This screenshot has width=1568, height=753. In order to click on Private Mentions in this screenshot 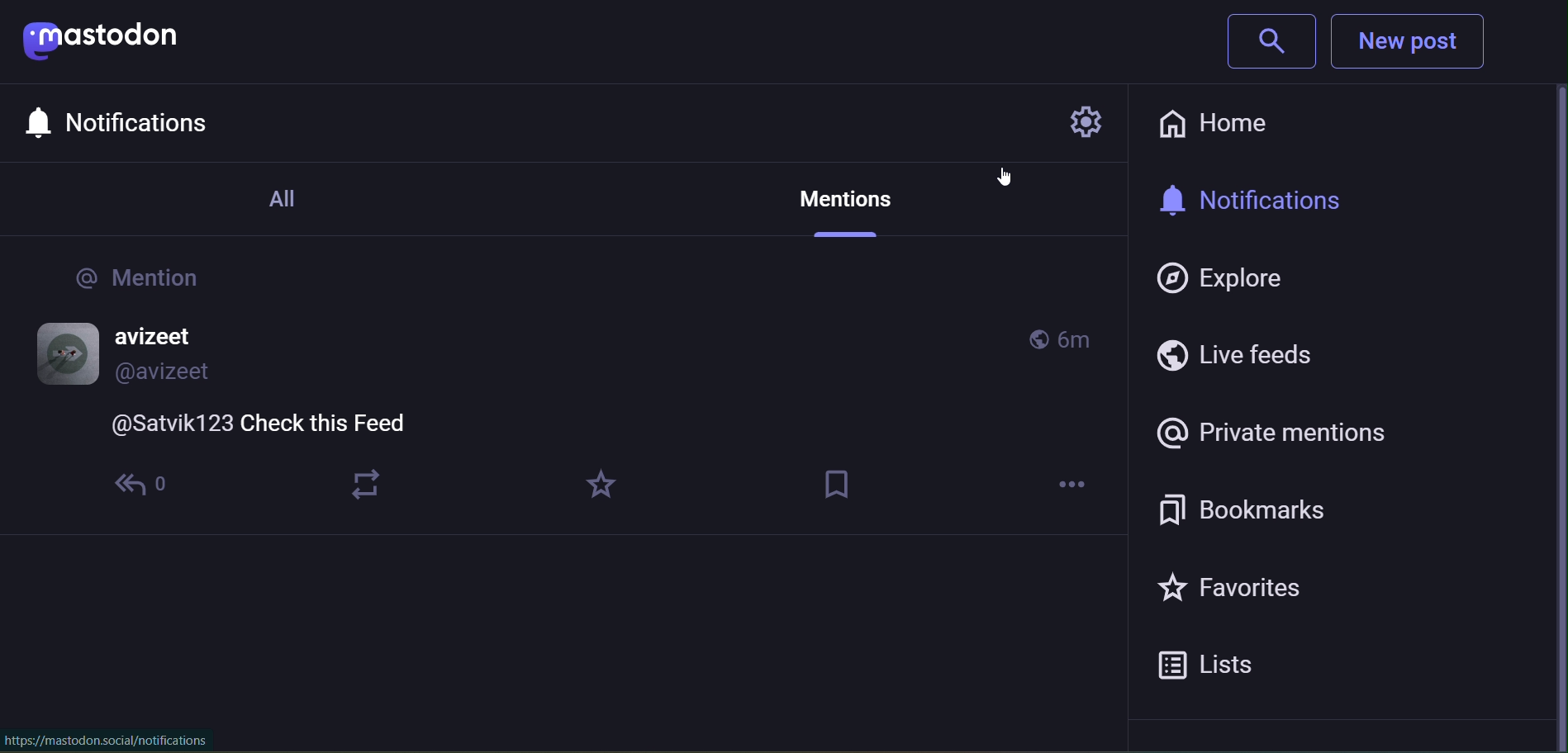, I will do `click(1280, 433)`.